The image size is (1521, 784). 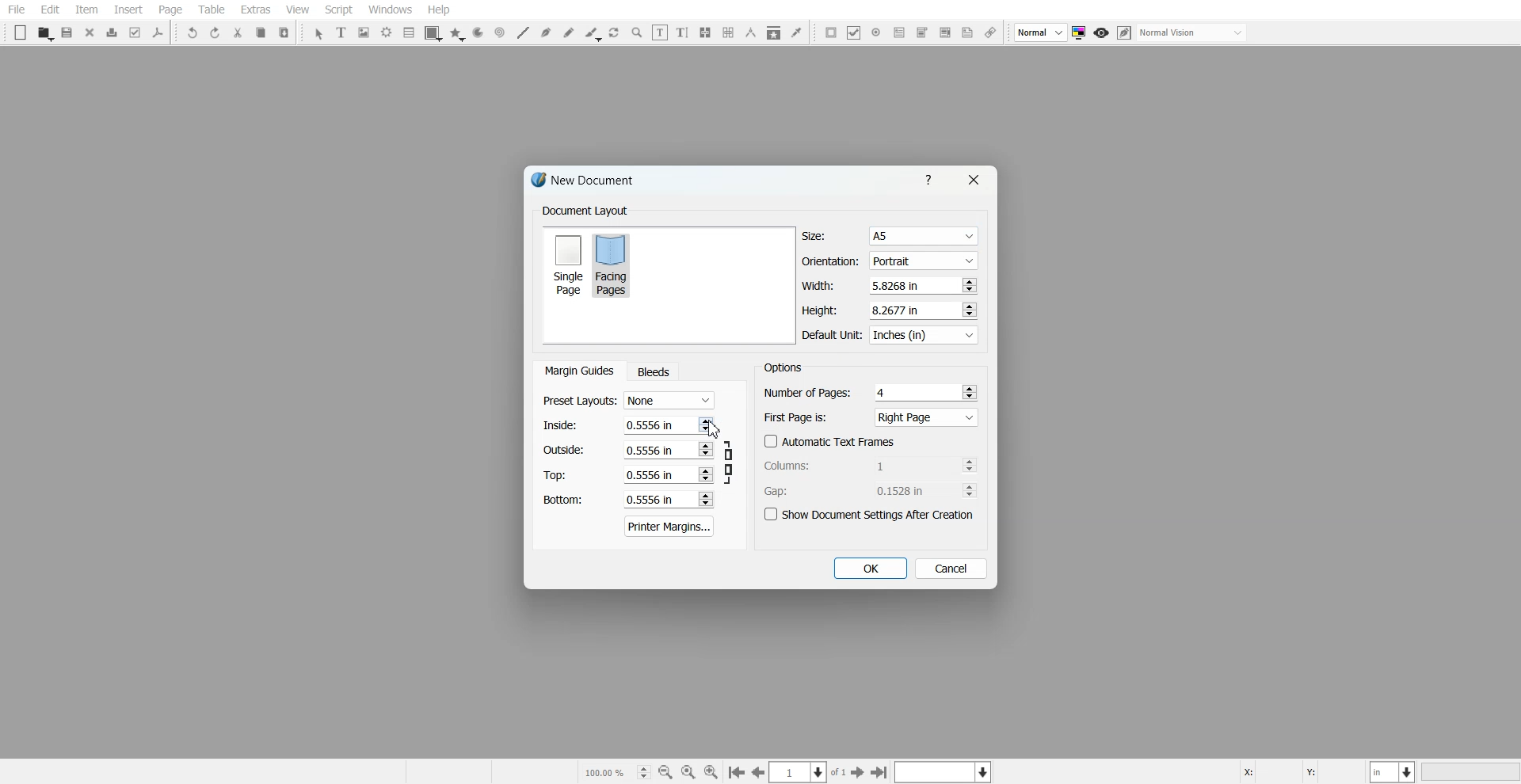 I want to click on Select the current layer, so click(x=945, y=771).